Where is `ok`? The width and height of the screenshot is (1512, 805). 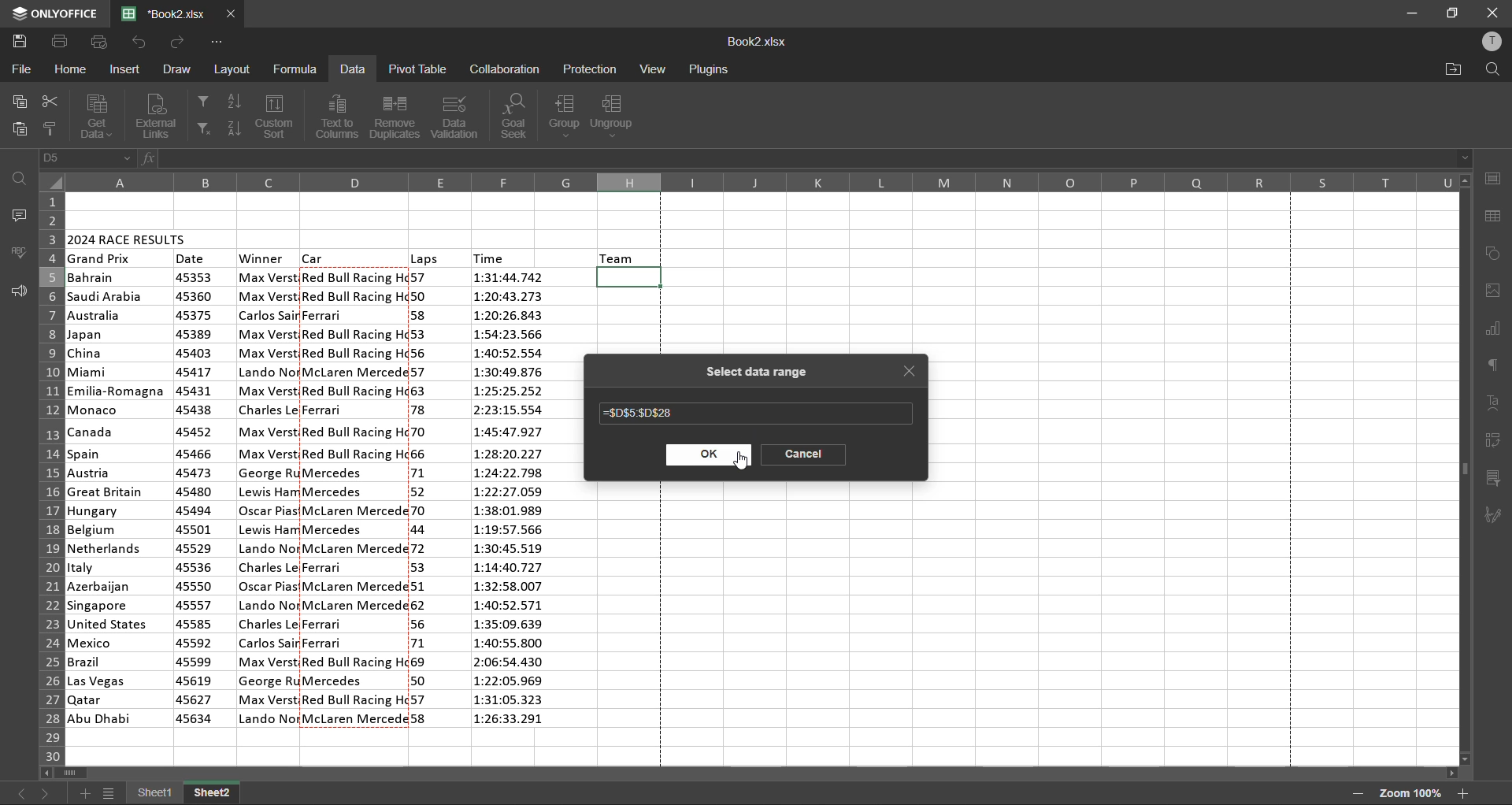
ok is located at coordinates (707, 456).